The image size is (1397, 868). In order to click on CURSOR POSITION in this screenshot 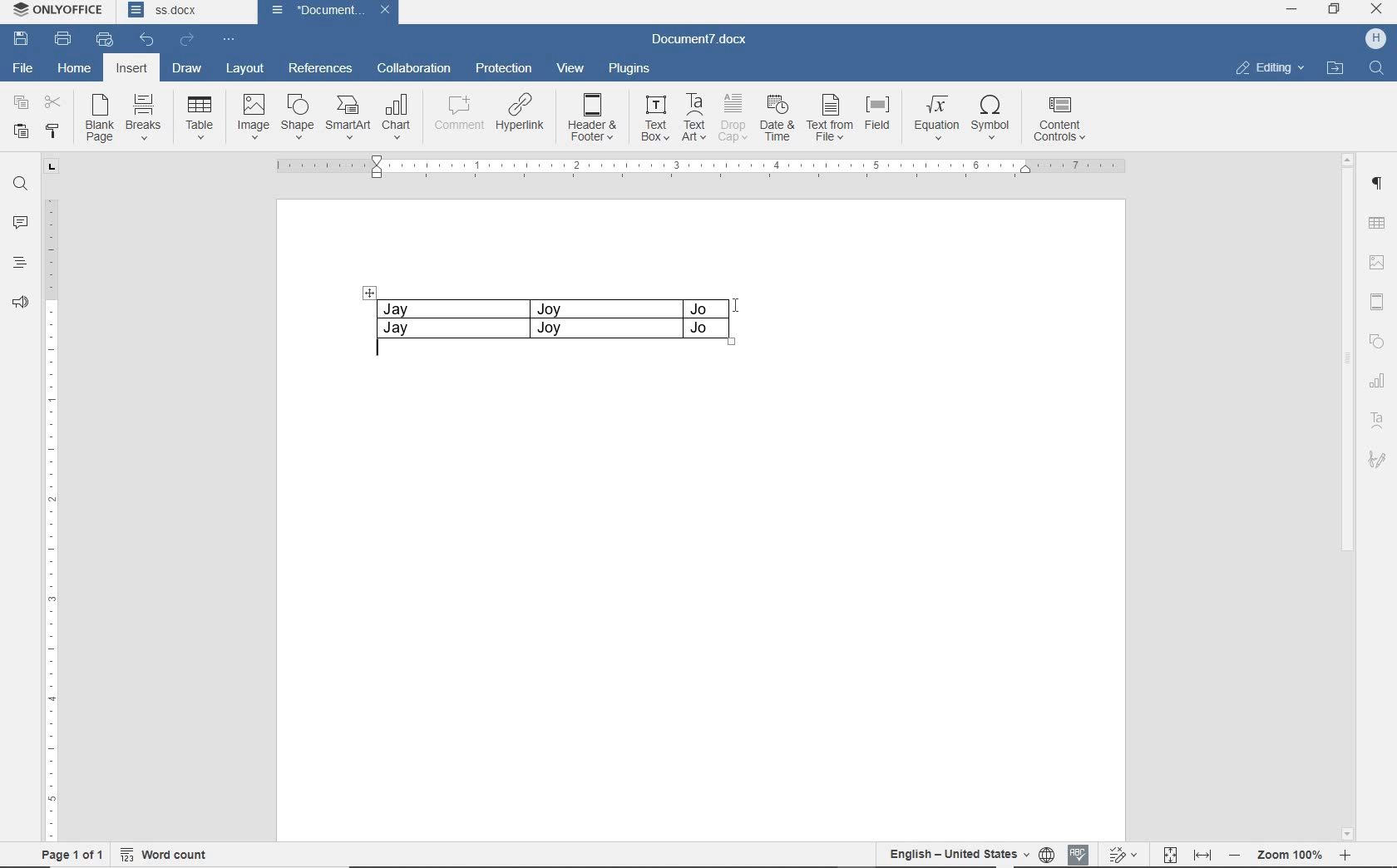, I will do `click(733, 305)`.